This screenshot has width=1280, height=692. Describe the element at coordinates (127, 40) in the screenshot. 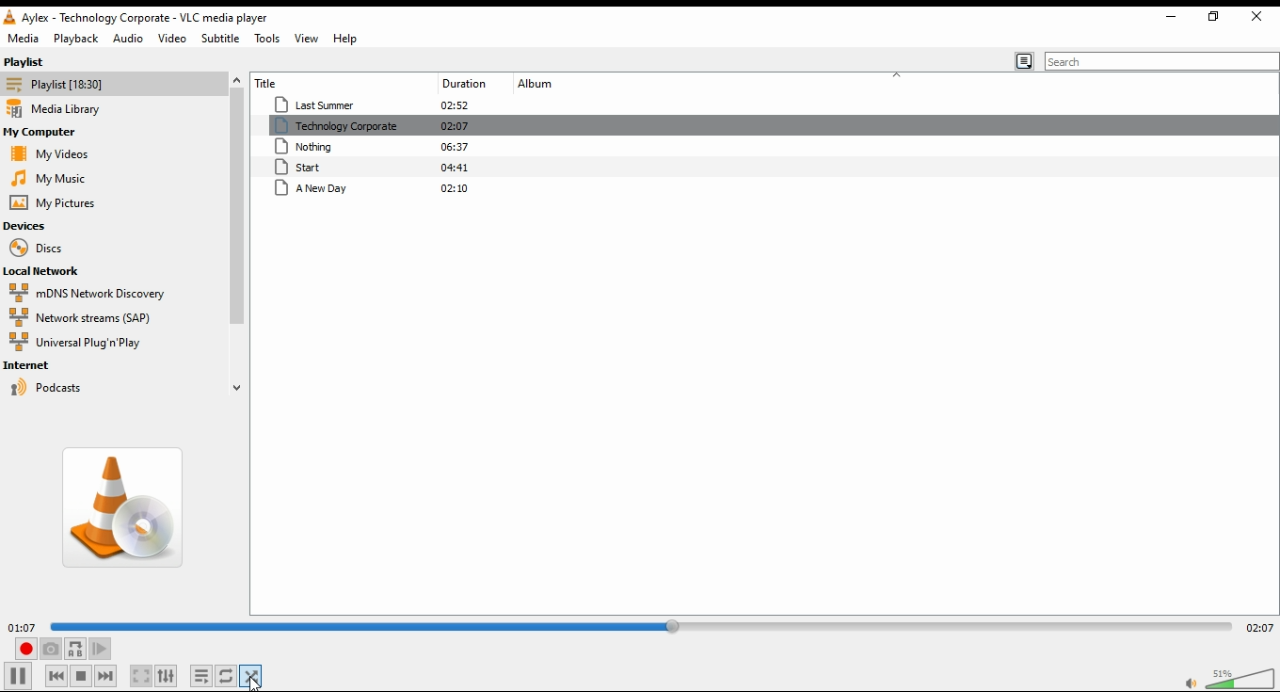

I see `audio` at that location.